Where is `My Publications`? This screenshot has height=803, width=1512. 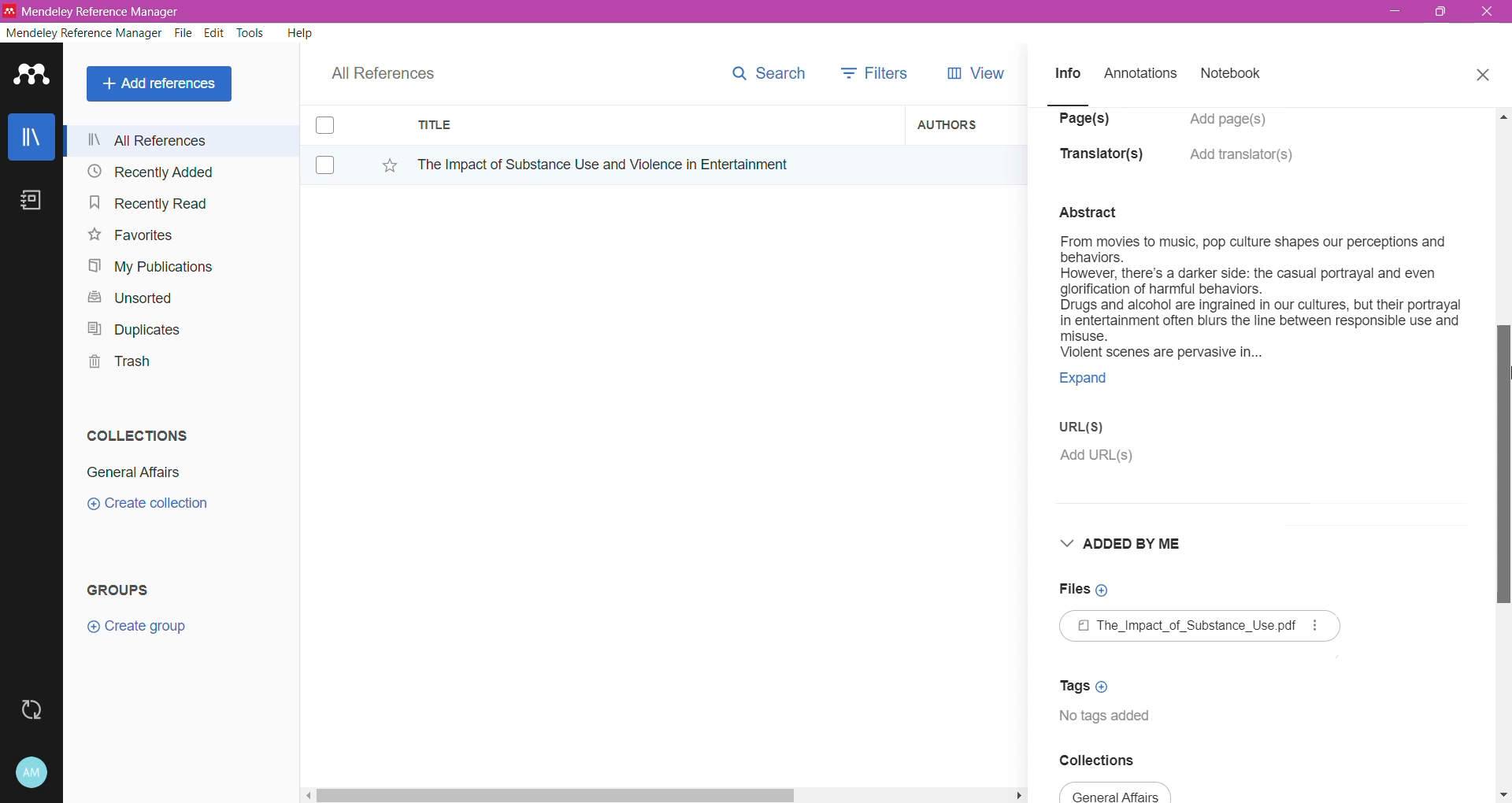 My Publications is located at coordinates (149, 267).